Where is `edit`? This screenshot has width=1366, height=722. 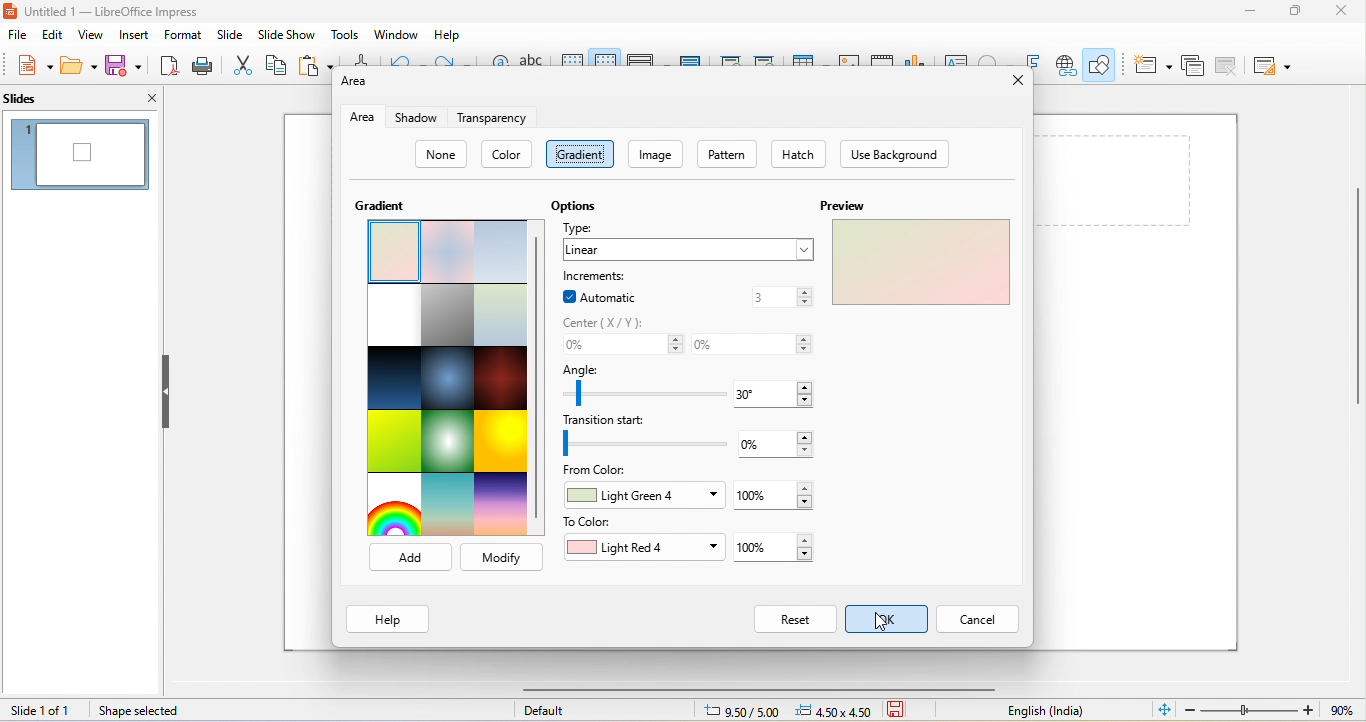 edit is located at coordinates (51, 34).